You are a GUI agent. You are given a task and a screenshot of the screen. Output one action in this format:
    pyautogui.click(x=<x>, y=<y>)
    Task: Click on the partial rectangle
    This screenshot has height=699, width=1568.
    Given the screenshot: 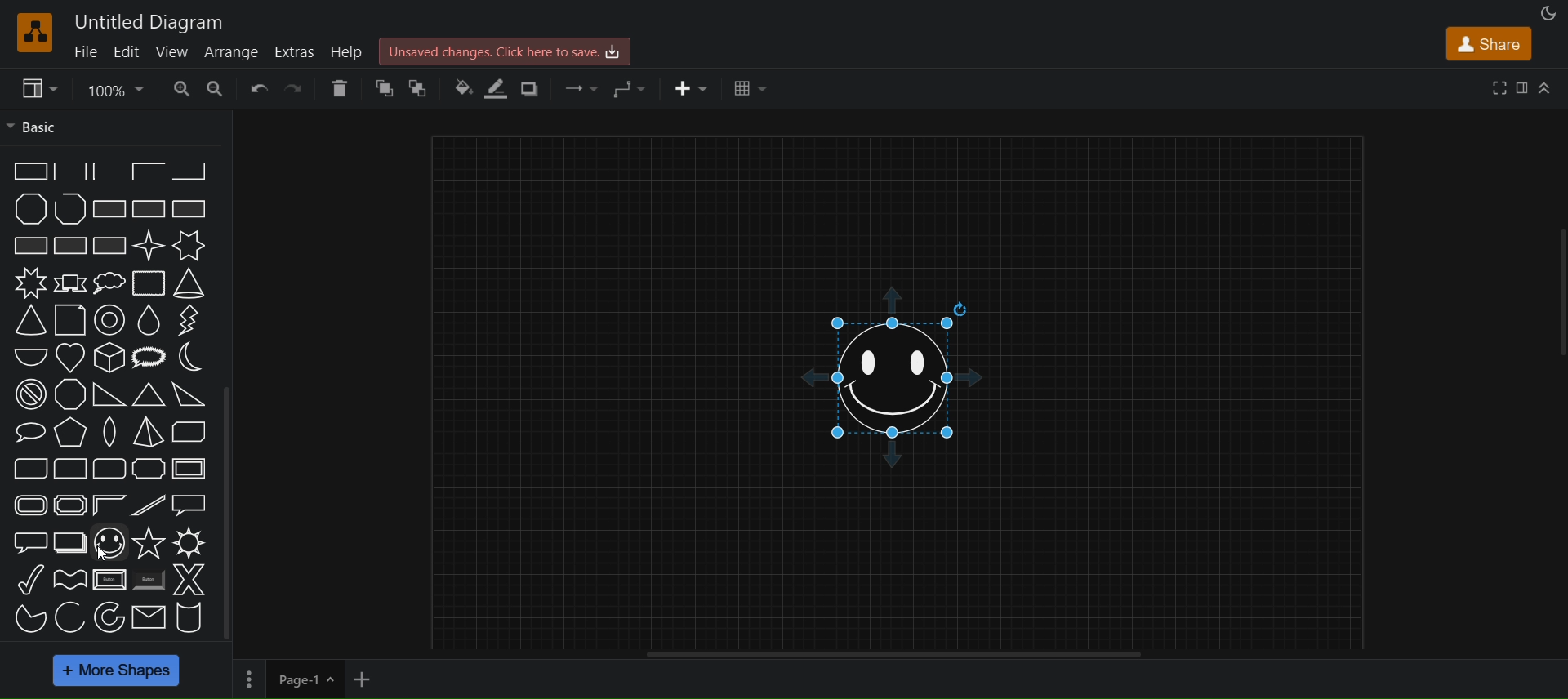 What is the action you would take?
    pyautogui.click(x=69, y=171)
    